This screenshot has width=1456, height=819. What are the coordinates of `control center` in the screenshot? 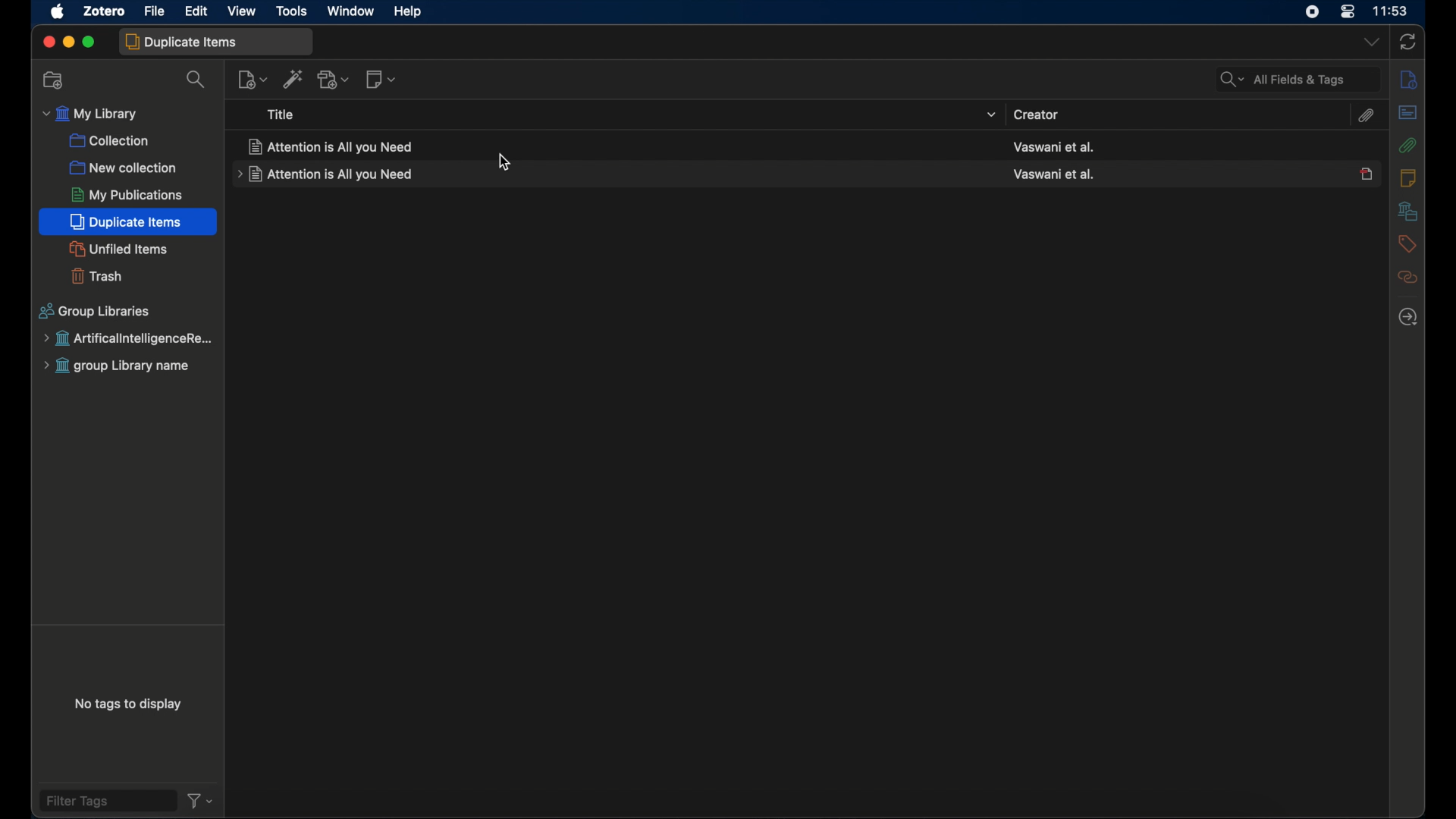 It's located at (1347, 12).